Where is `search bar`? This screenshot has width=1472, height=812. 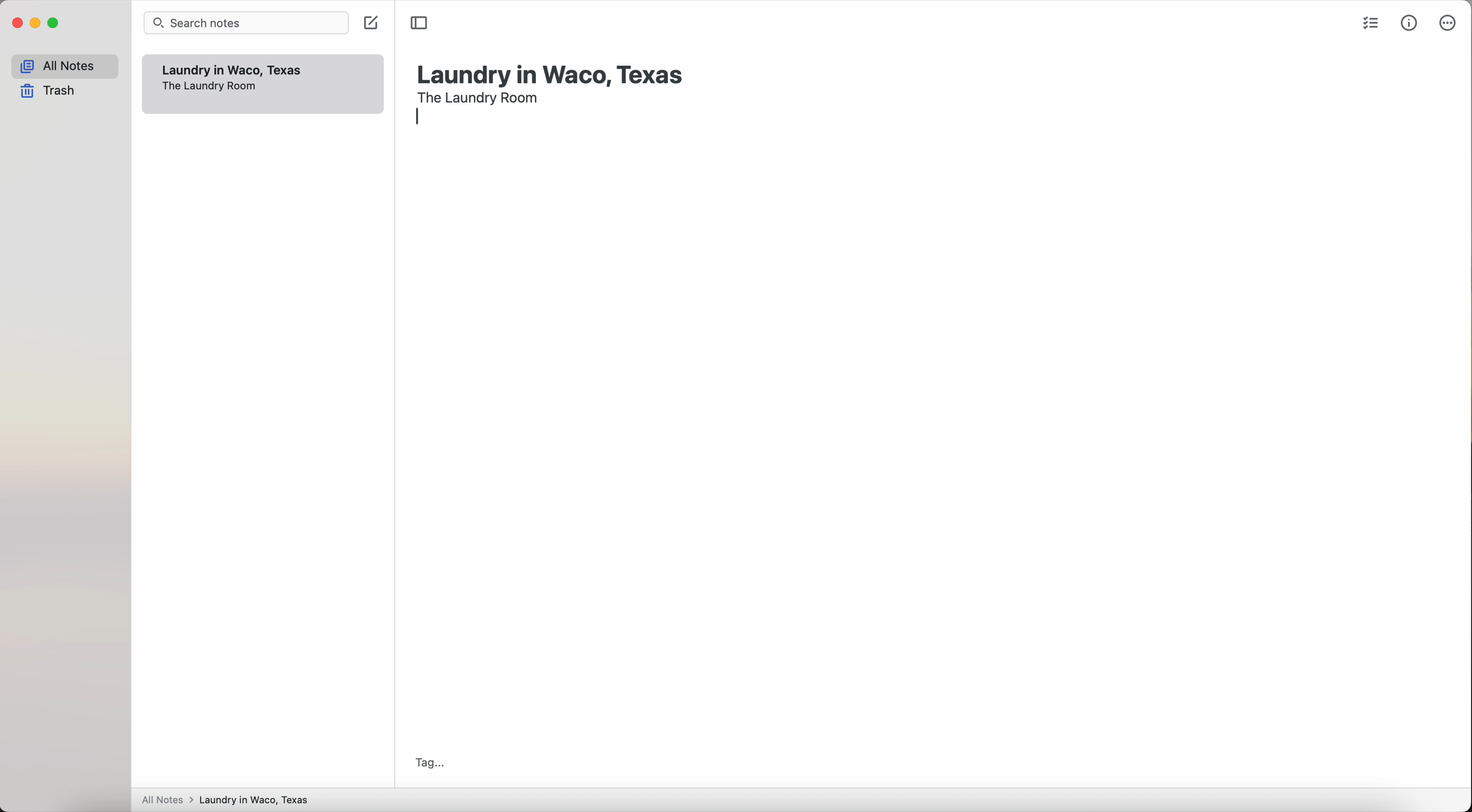 search bar is located at coordinates (249, 23).